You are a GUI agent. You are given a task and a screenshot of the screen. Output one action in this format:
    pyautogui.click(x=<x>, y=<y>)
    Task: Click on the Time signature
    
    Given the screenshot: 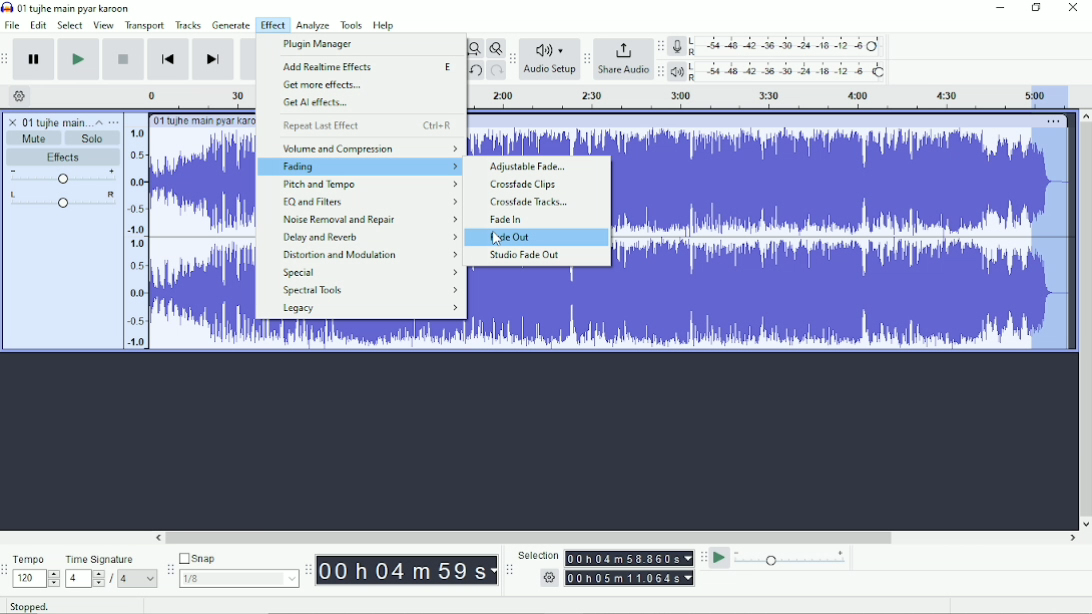 What is the action you would take?
    pyautogui.click(x=111, y=559)
    